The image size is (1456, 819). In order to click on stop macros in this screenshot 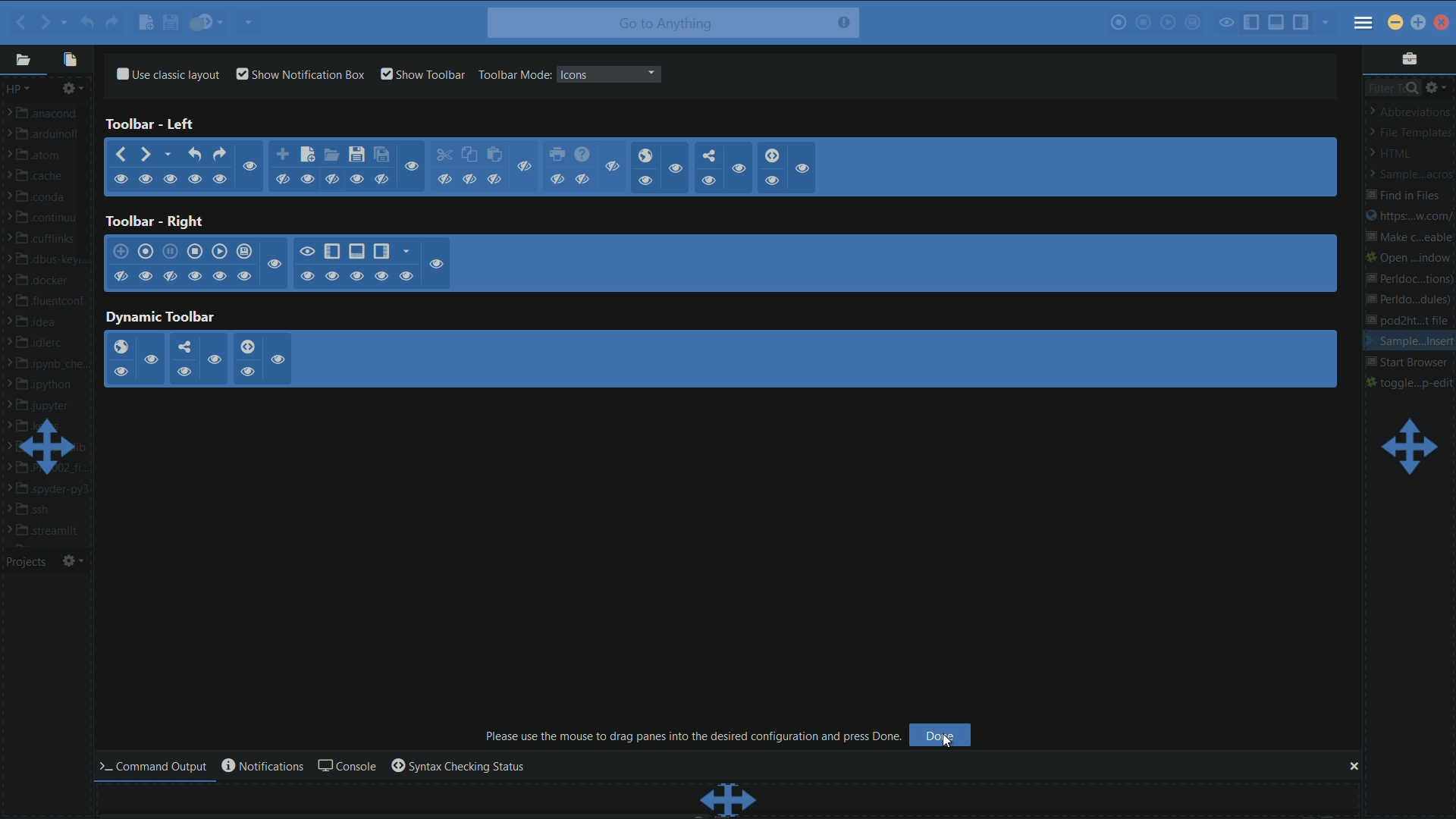, I will do `click(1144, 24)`.